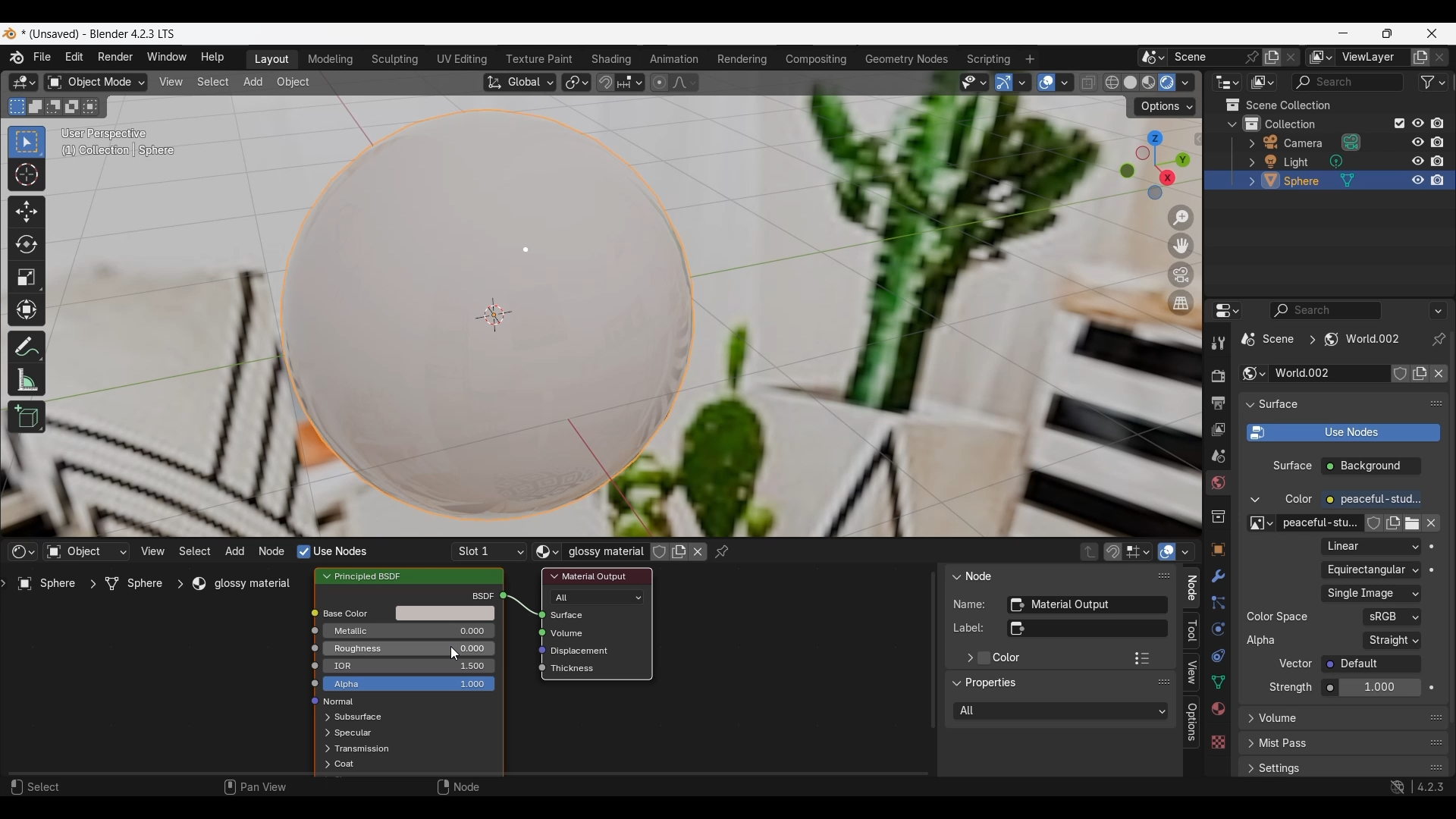 This screenshot has height=819, width=1456. Describe the element at coordinates (1320, 523) in the screenshot. I see `peaceful-stu..` at that location.